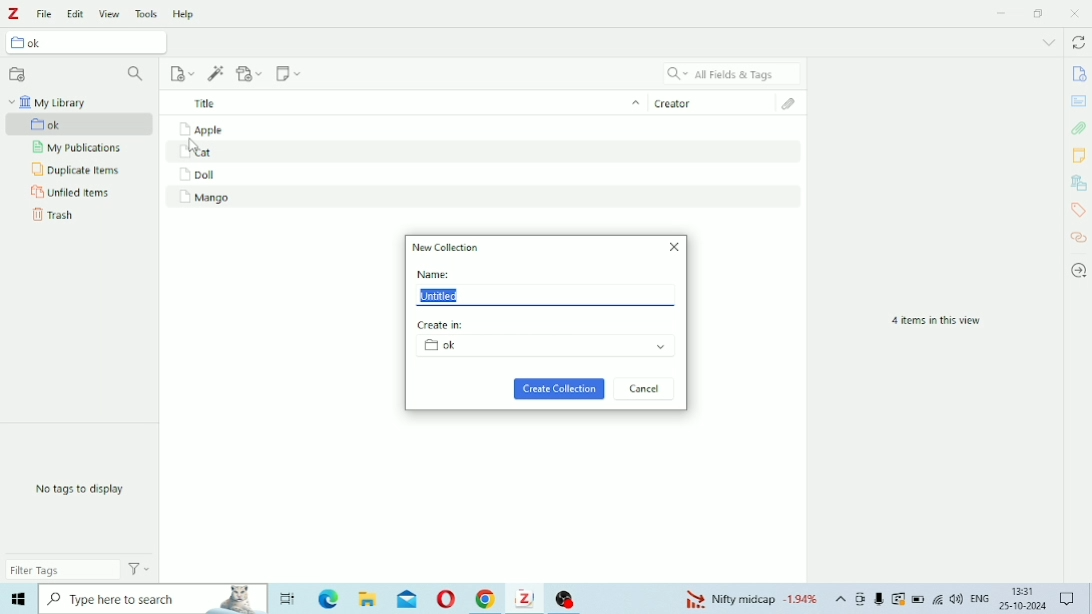 The width and height of the screenshot is (1092, 614). I want to click on Close, so click(1074, 13).